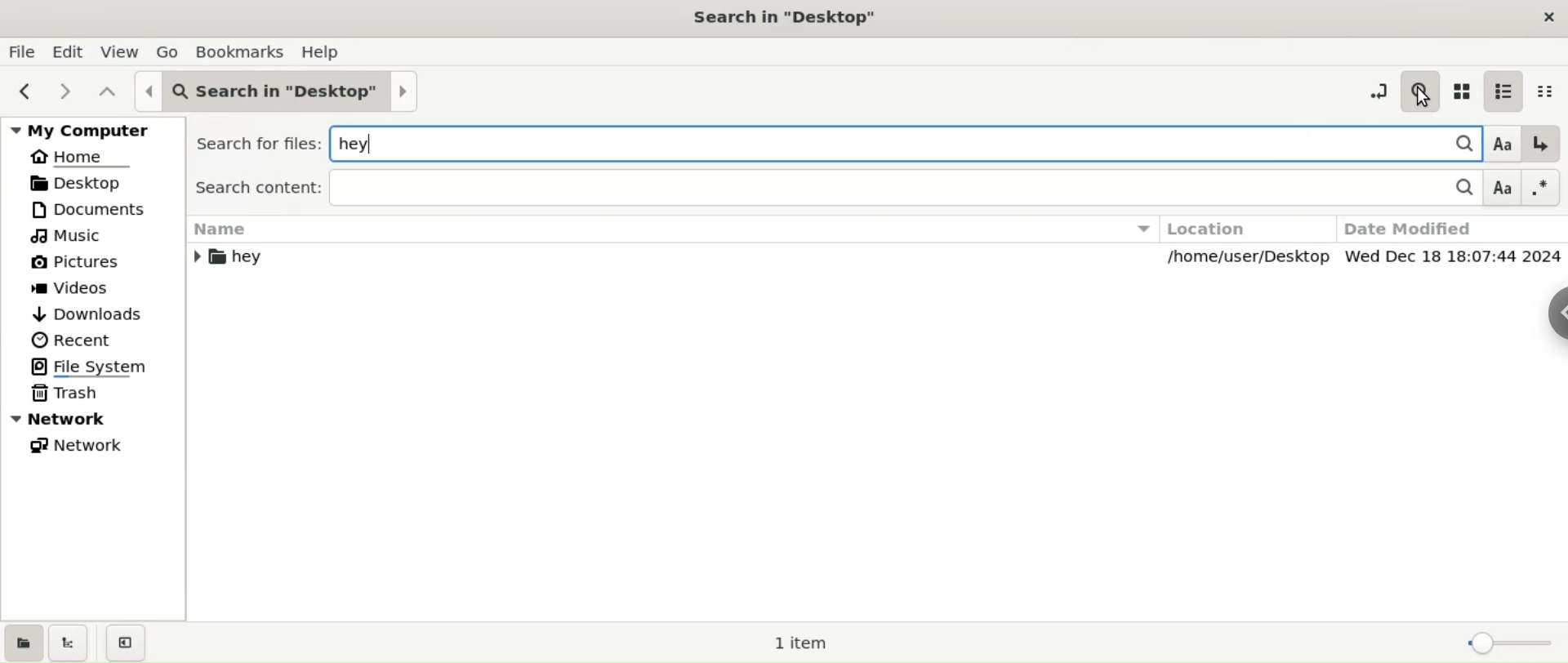 Image resolution: width=1568 pixels, height=663 pixels. I want to click on show treeview, so click(70, 642).